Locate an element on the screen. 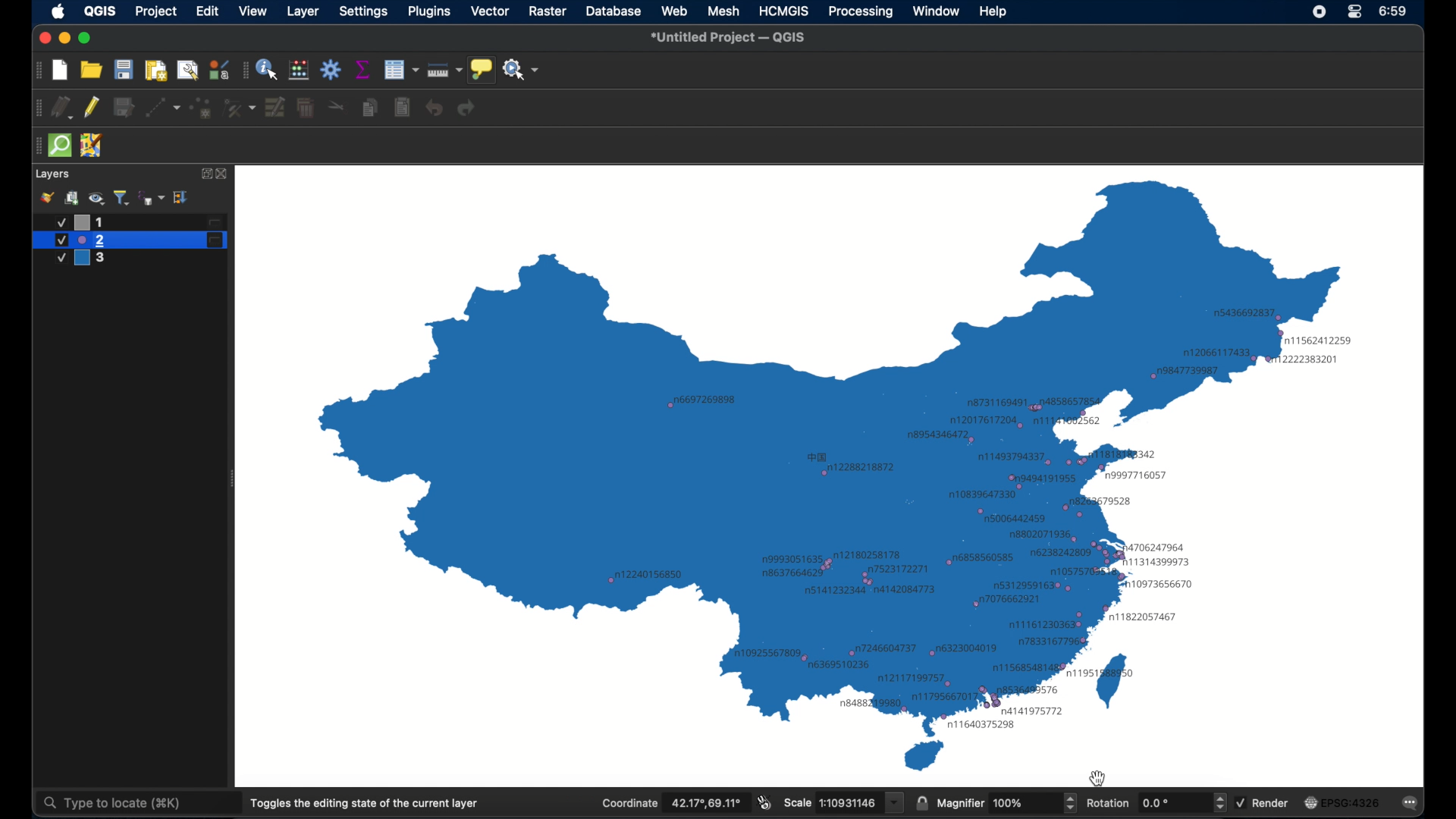  maximize  is located at coordinates (86, 39).